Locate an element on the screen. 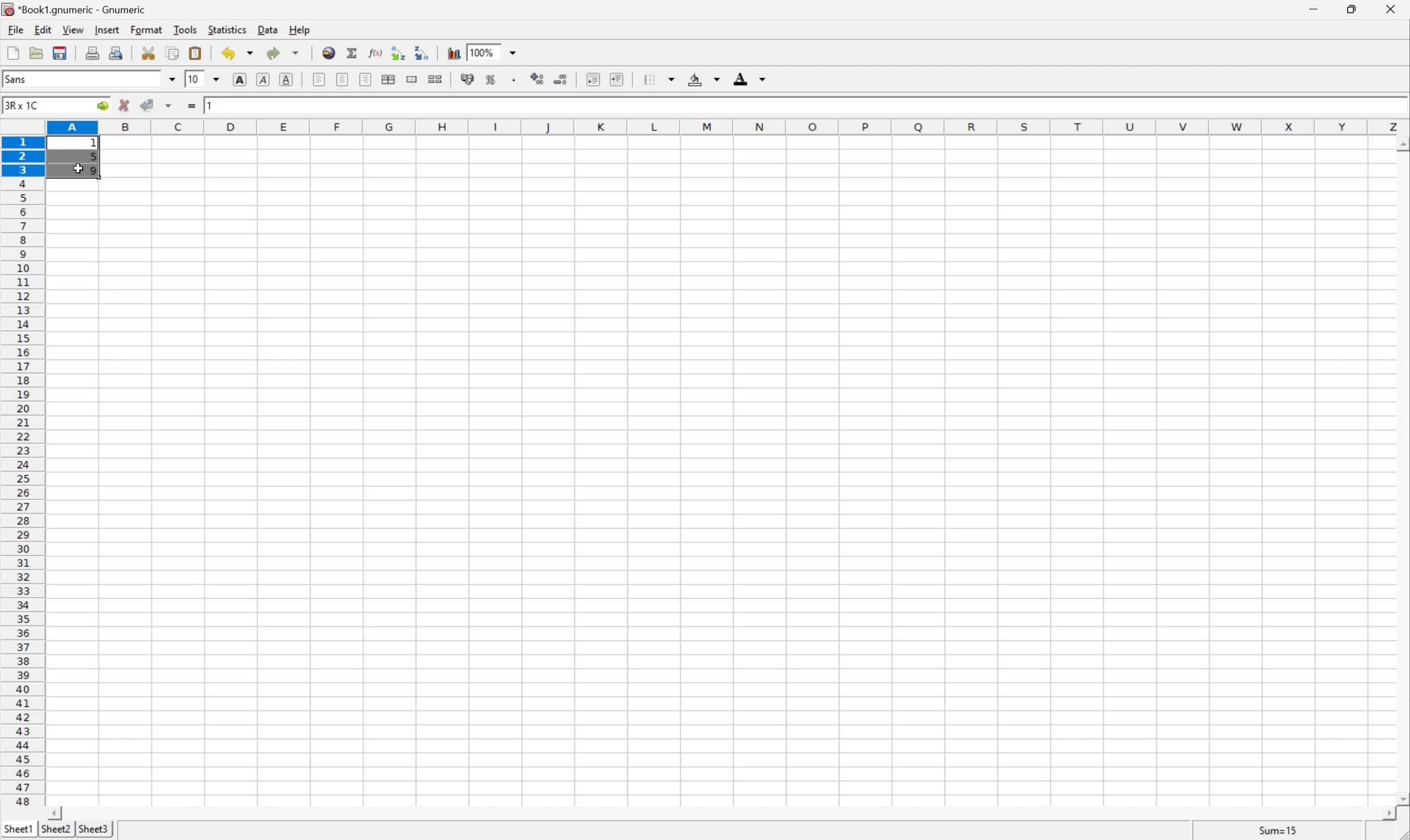 The height and width of the screenshot is (840, 1410). Set the format of the selected cells to include a thousands separator is located at coordinates (516, 80).